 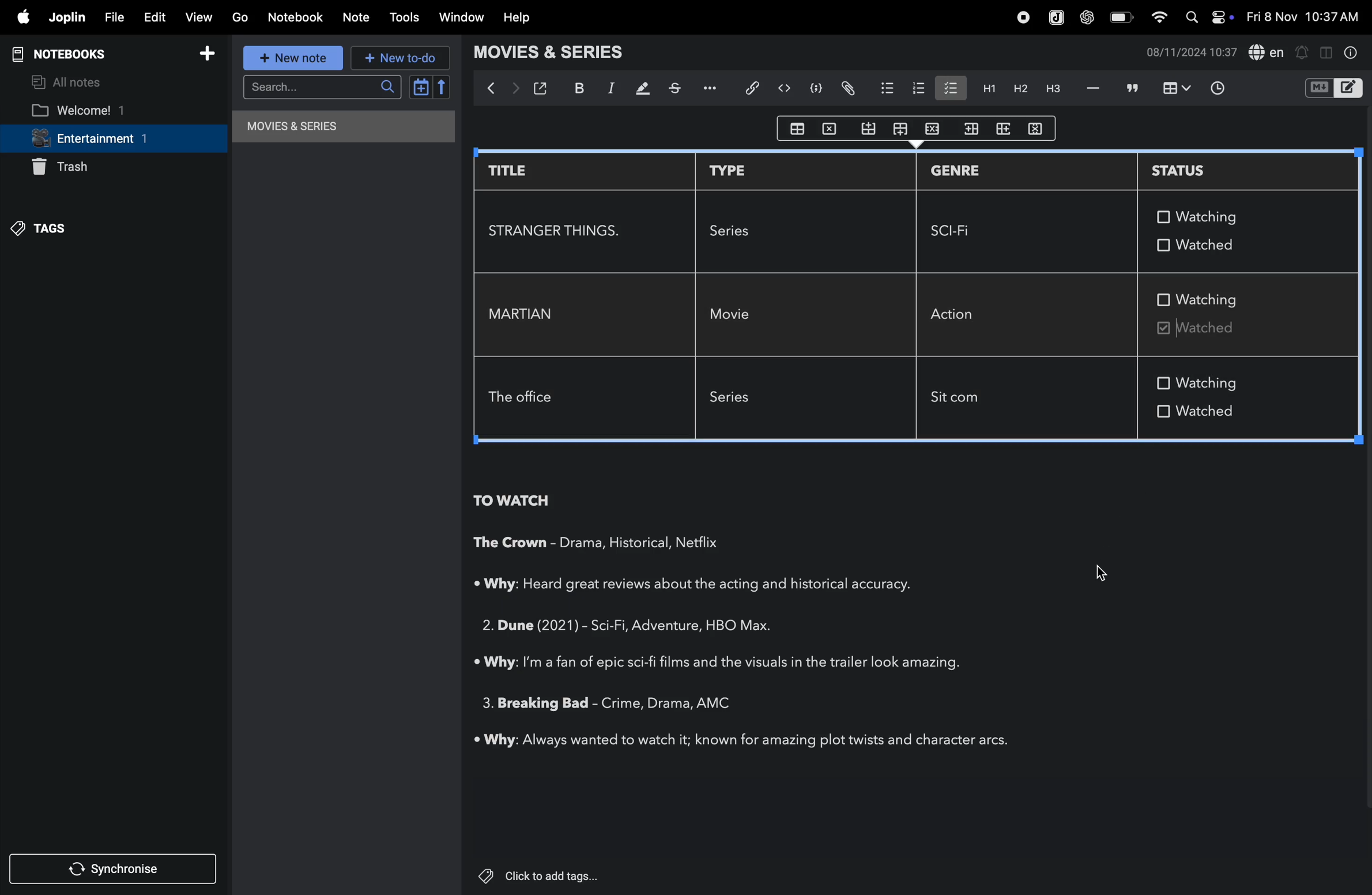 What do you see at coordinates (845, 88) in the screenshot?
I see `attach file` at bounding box center [845, 88].